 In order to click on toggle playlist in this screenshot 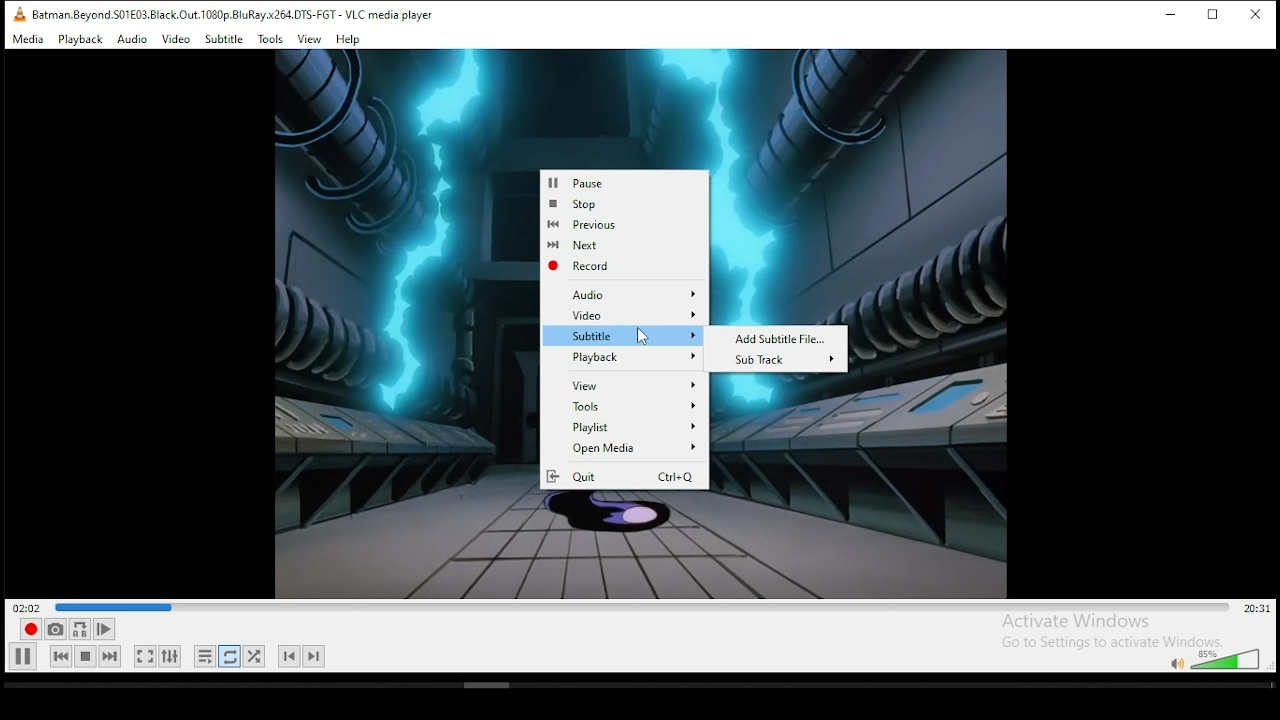, I will do `click(205, 656)`.